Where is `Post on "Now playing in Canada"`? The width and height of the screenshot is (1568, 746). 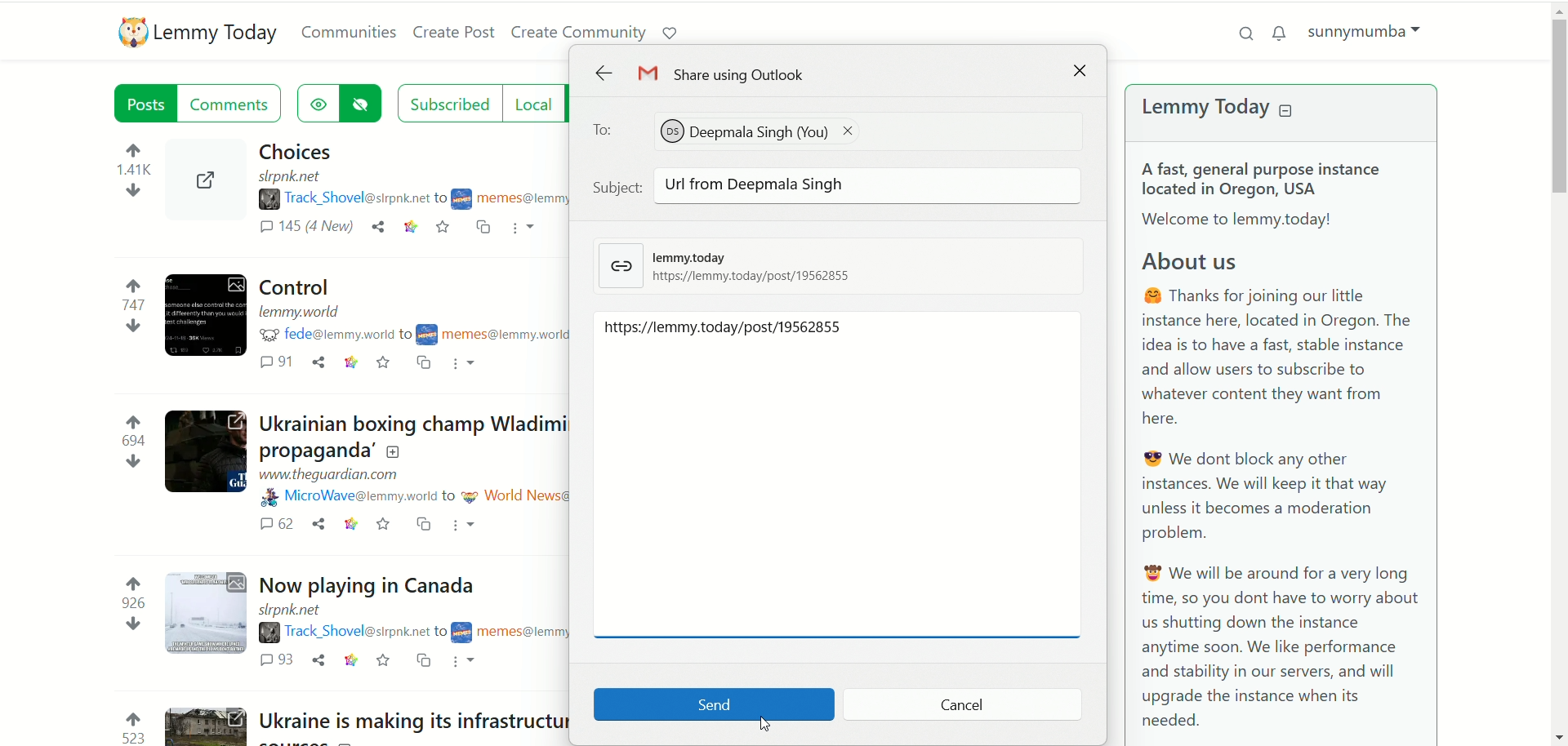
Post on "Now playing in Canada" is located at coordinates (365, 583).